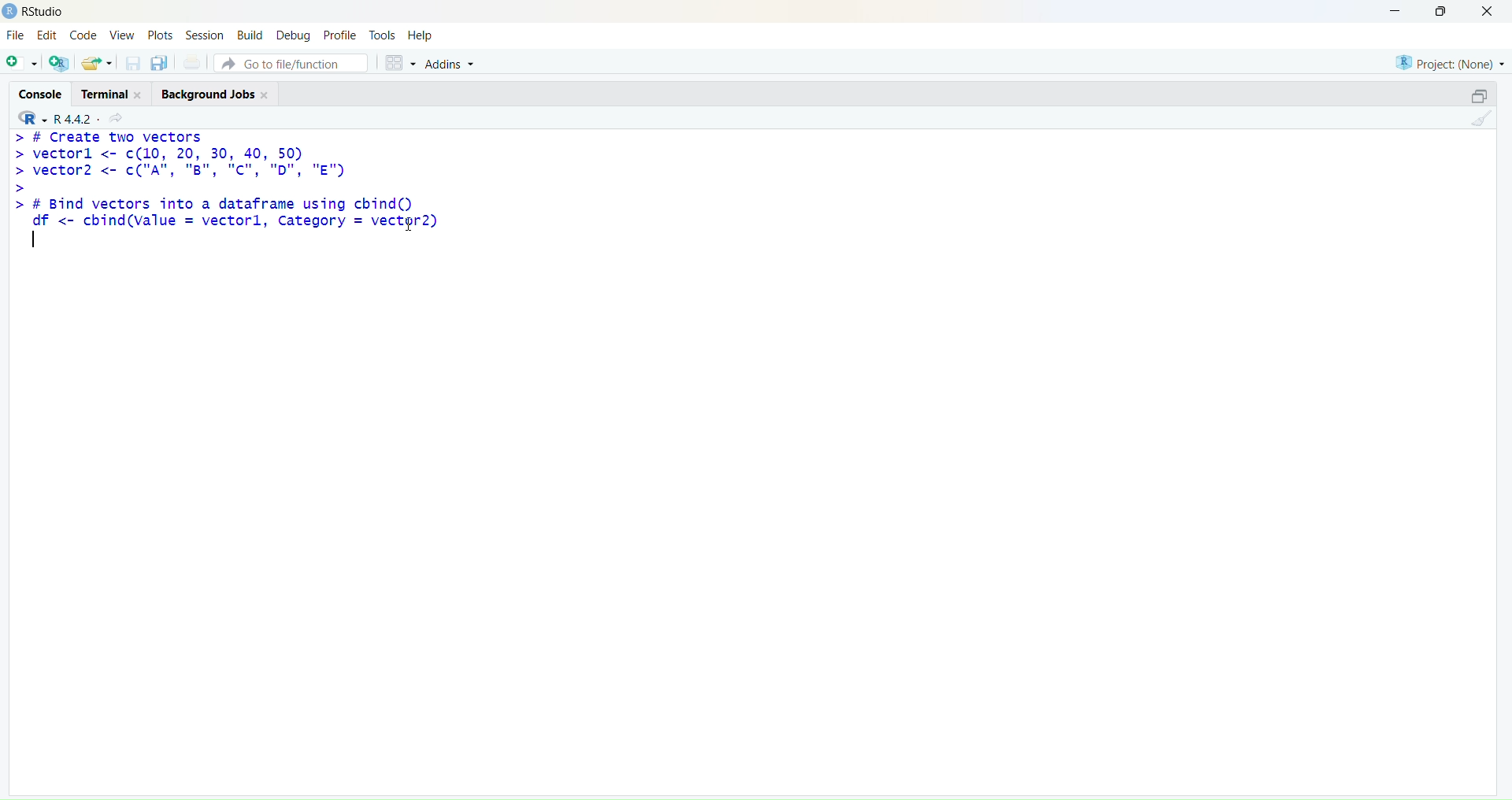 This screenshot has height=800, width=1512. I want to click on workspace panes, so click(399, 64).